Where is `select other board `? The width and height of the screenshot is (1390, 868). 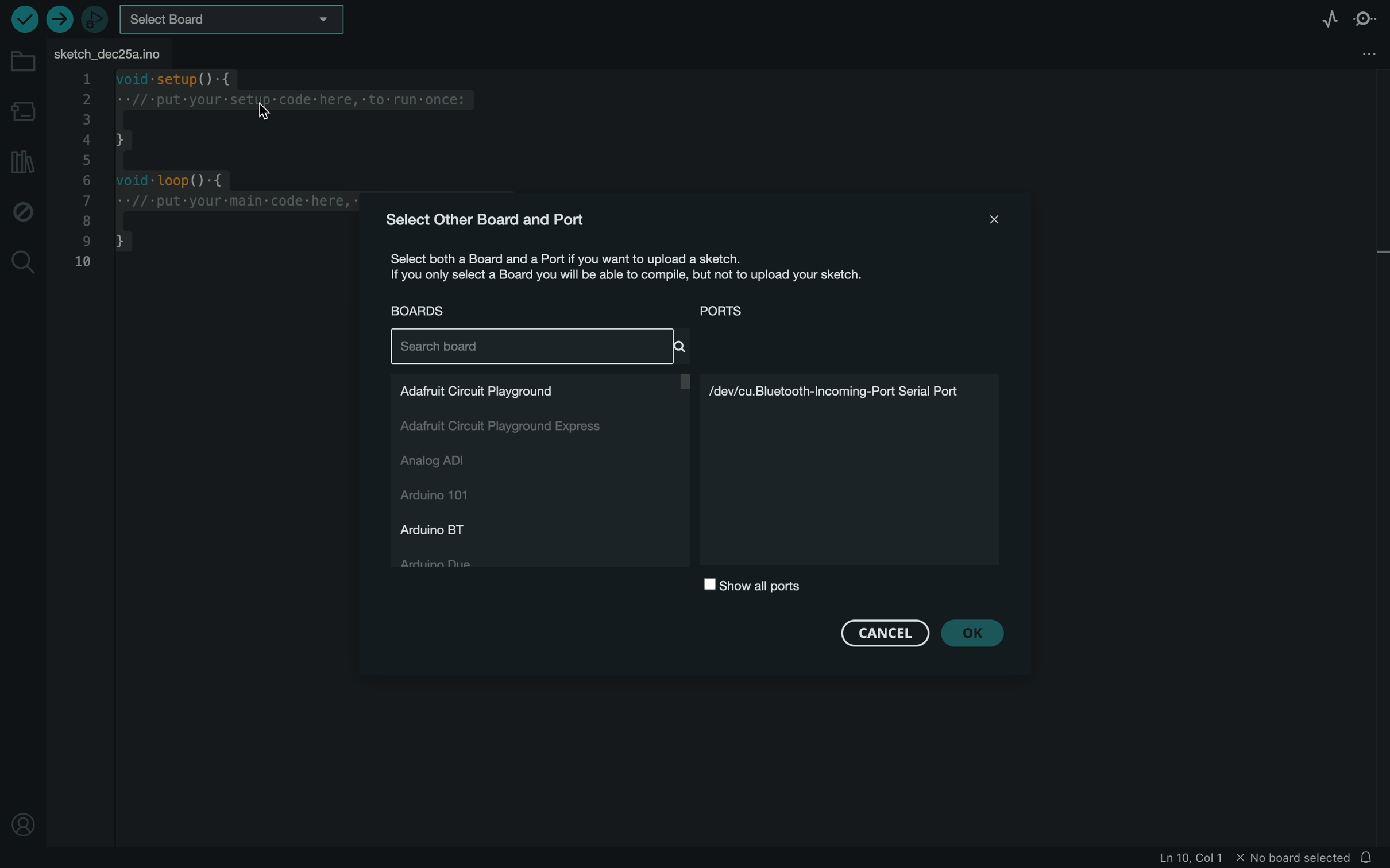
select other board  is located at coordinates (488, 218).